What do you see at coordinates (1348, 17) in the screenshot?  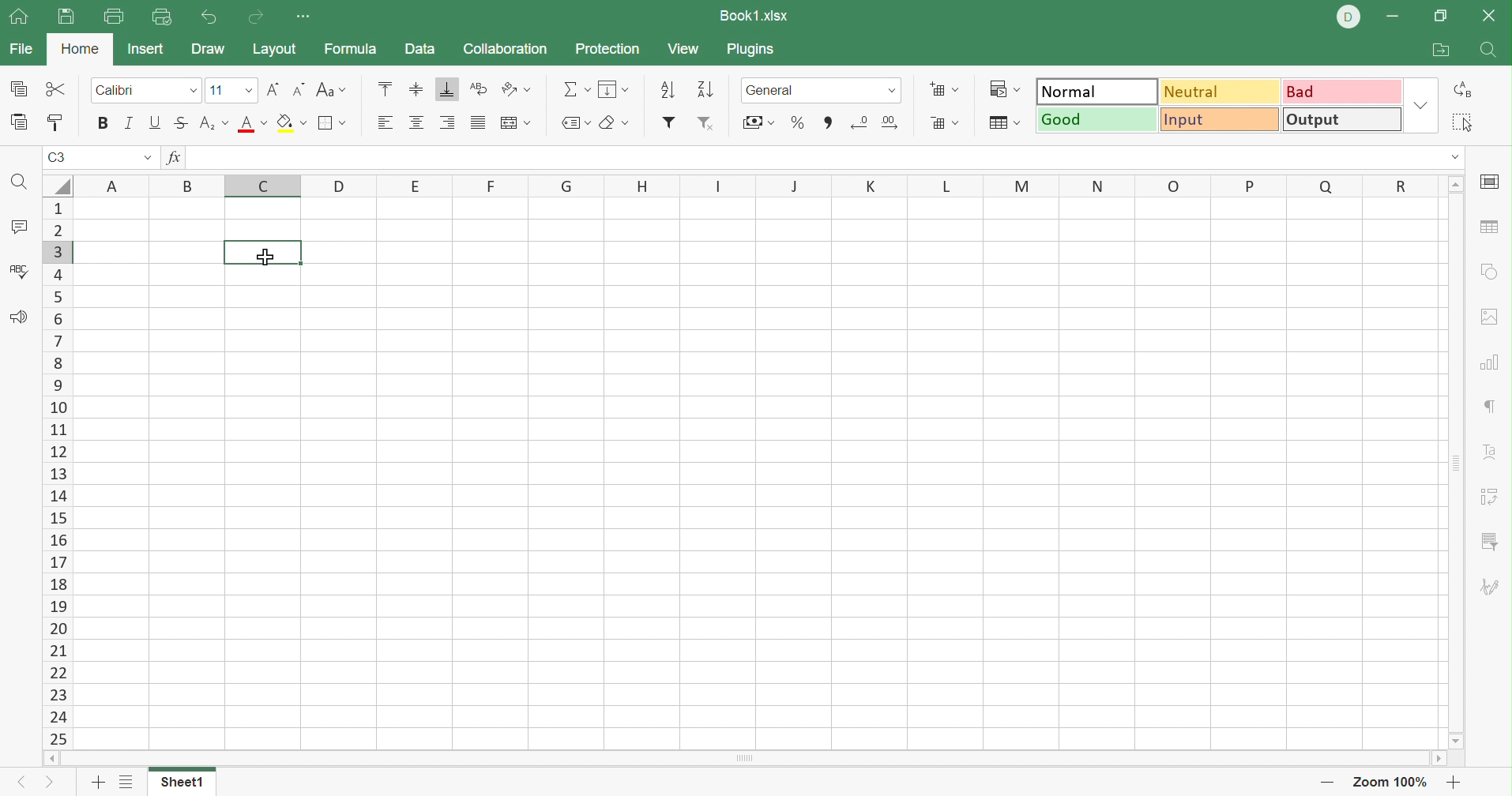 I see `DELL` at bounding box center [1348, 17].